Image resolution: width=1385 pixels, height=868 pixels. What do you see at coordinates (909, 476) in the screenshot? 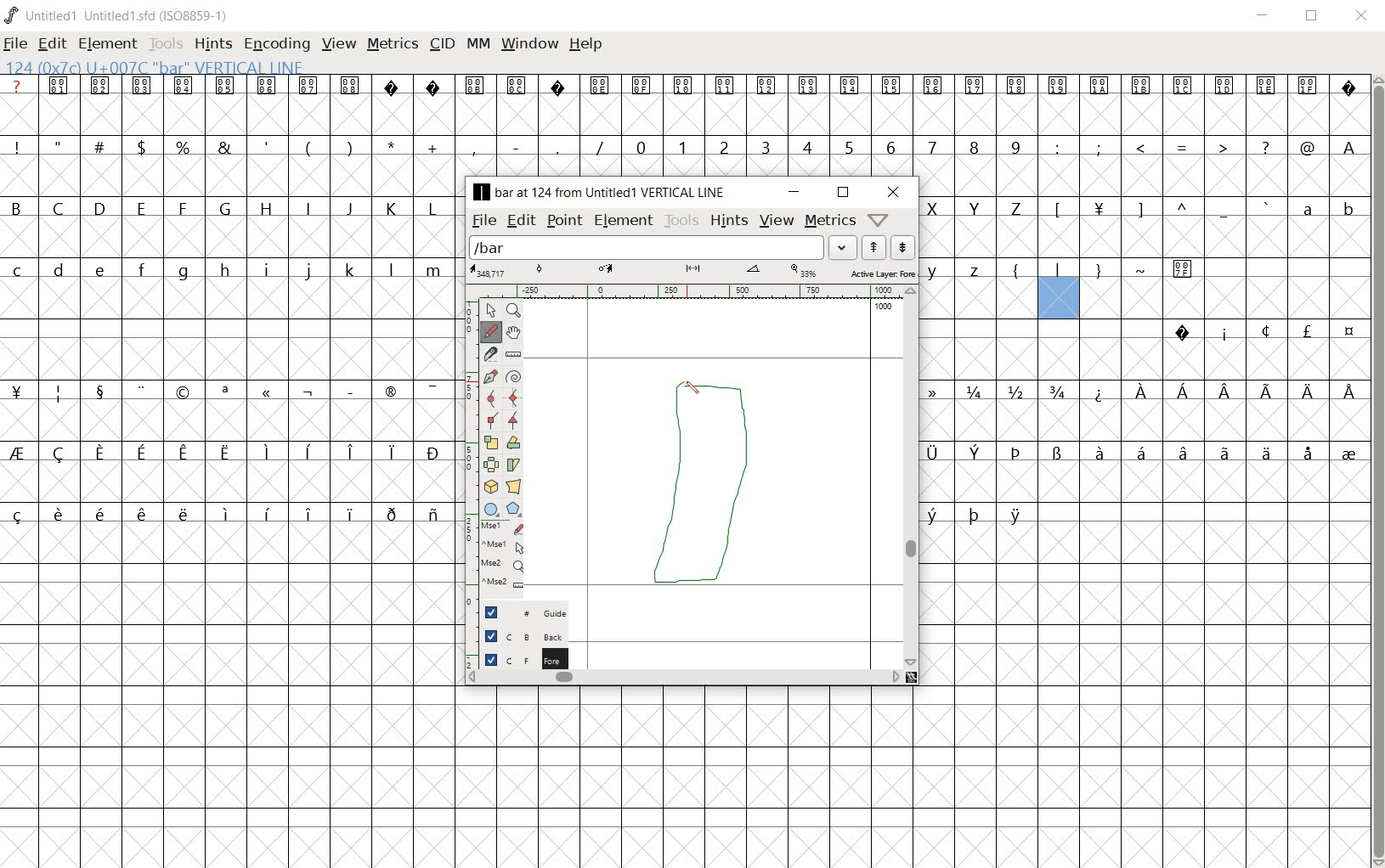
I see `scrollbar` at bounding box center [909, 476].